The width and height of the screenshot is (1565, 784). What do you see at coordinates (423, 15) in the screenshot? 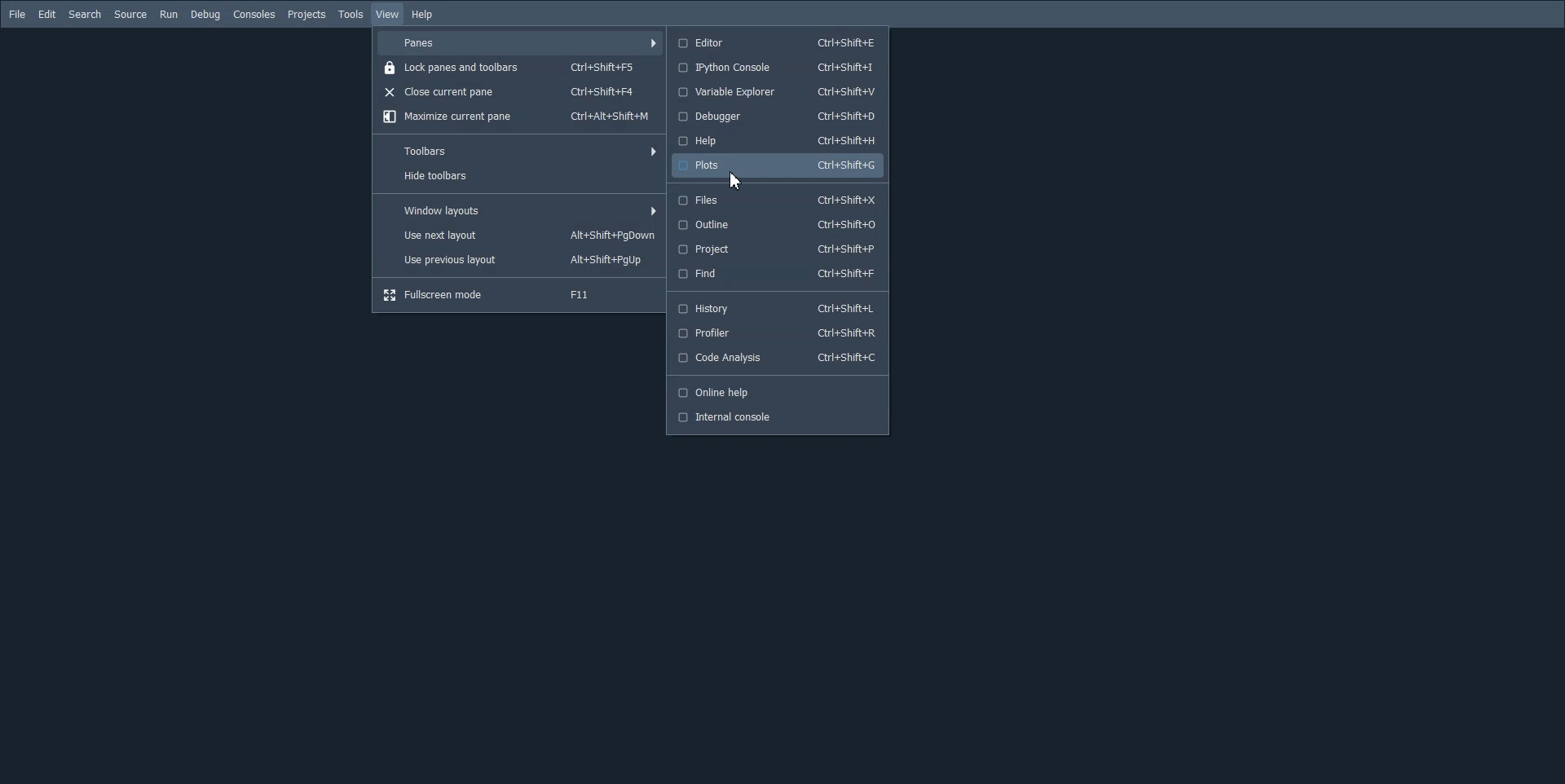
I see `Help` at bounding box center [423, 15].